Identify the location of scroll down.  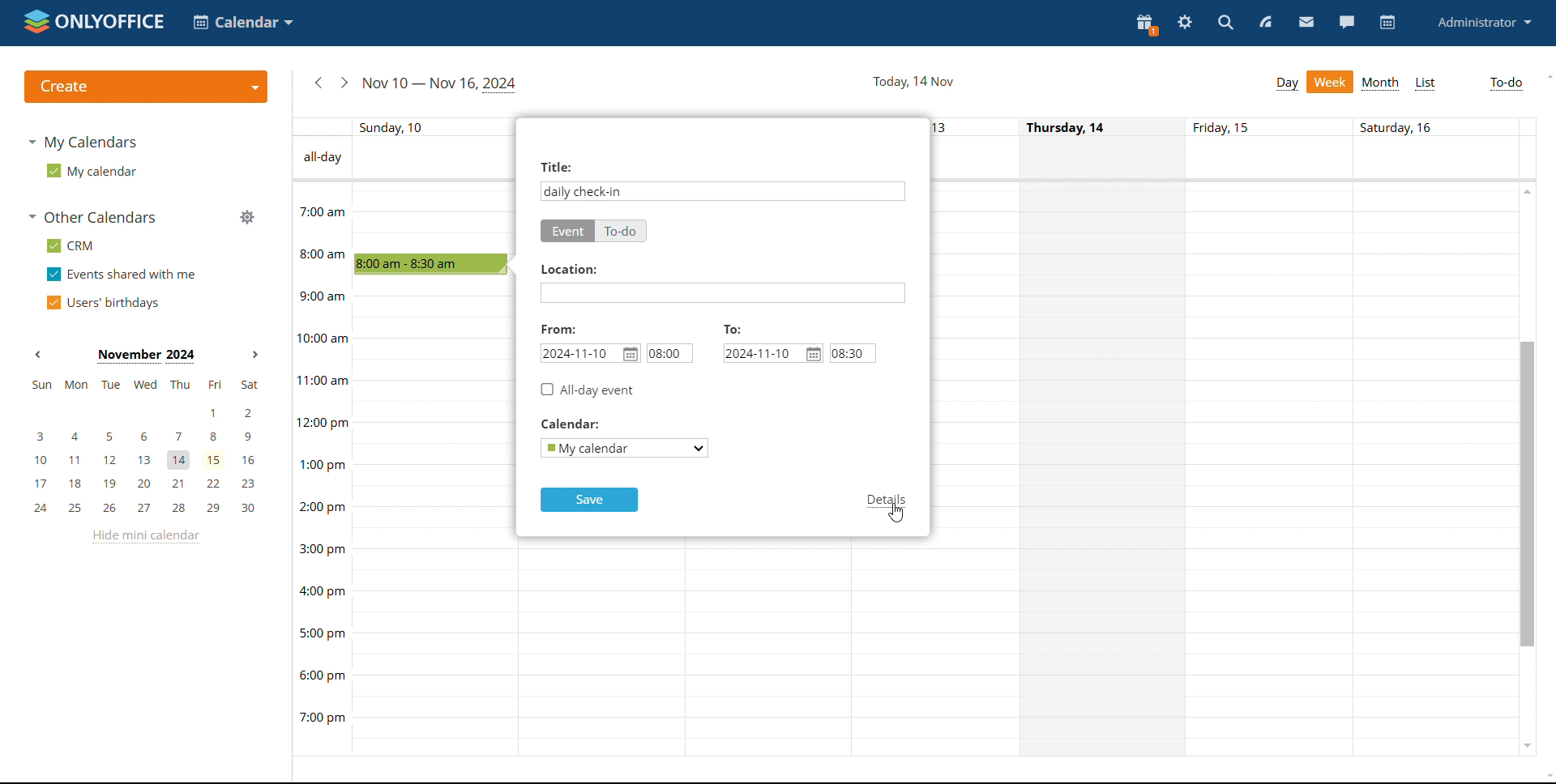
(1546, 775).